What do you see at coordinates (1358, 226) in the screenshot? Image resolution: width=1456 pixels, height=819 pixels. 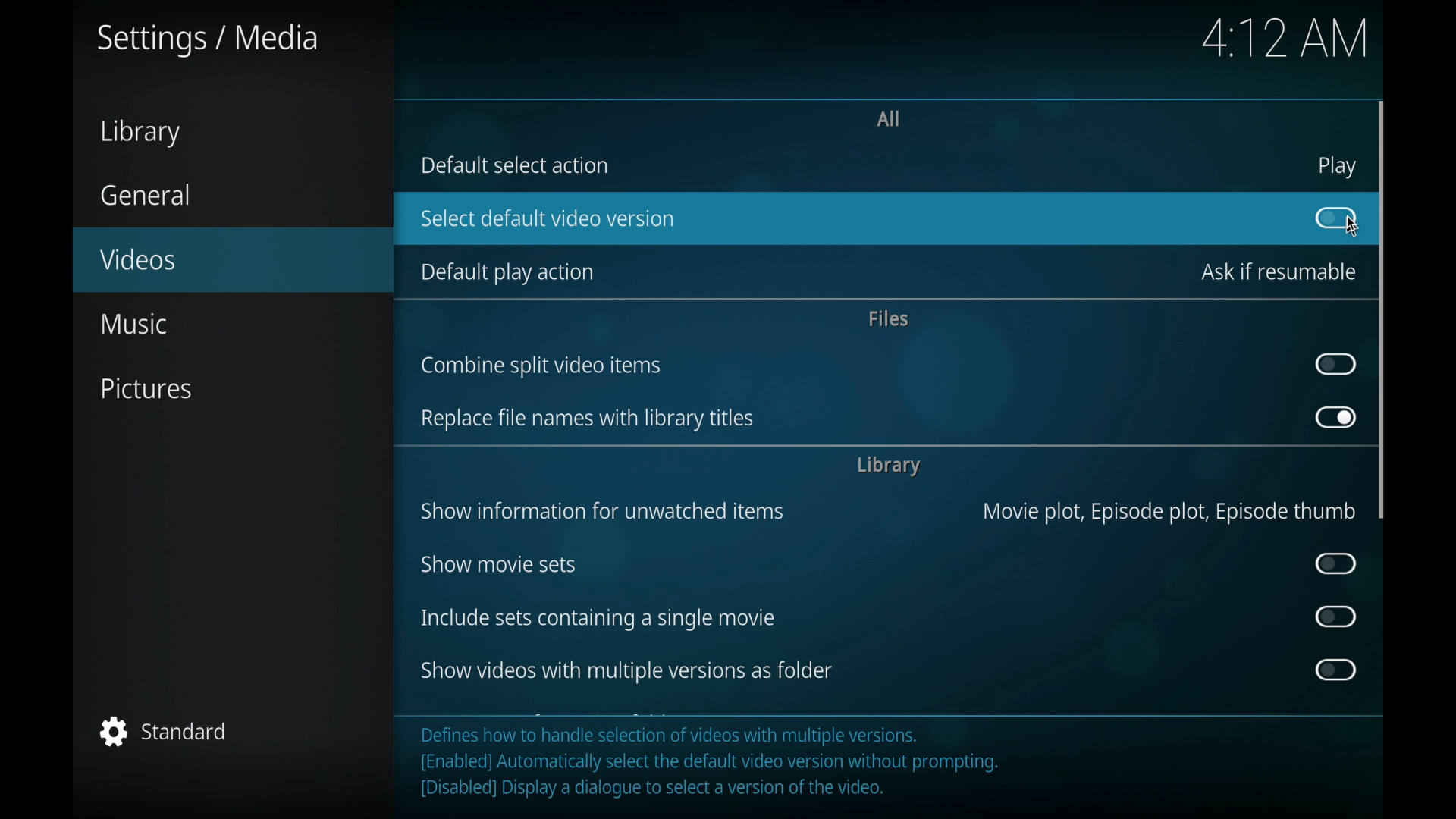 I see `cursor` at bounding box center [1358, 226].